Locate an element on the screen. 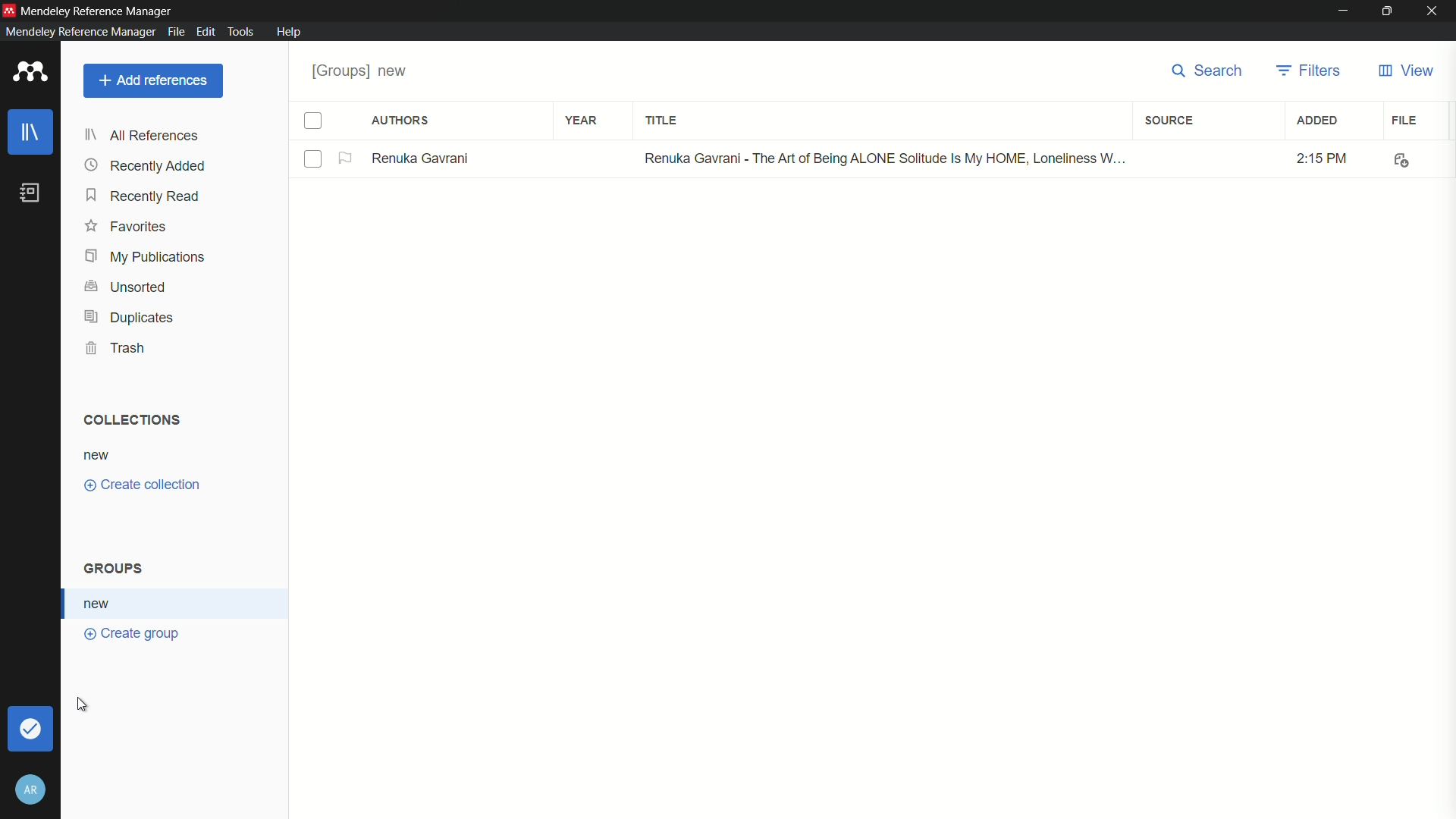  File is located at coordinates (1398, 158).